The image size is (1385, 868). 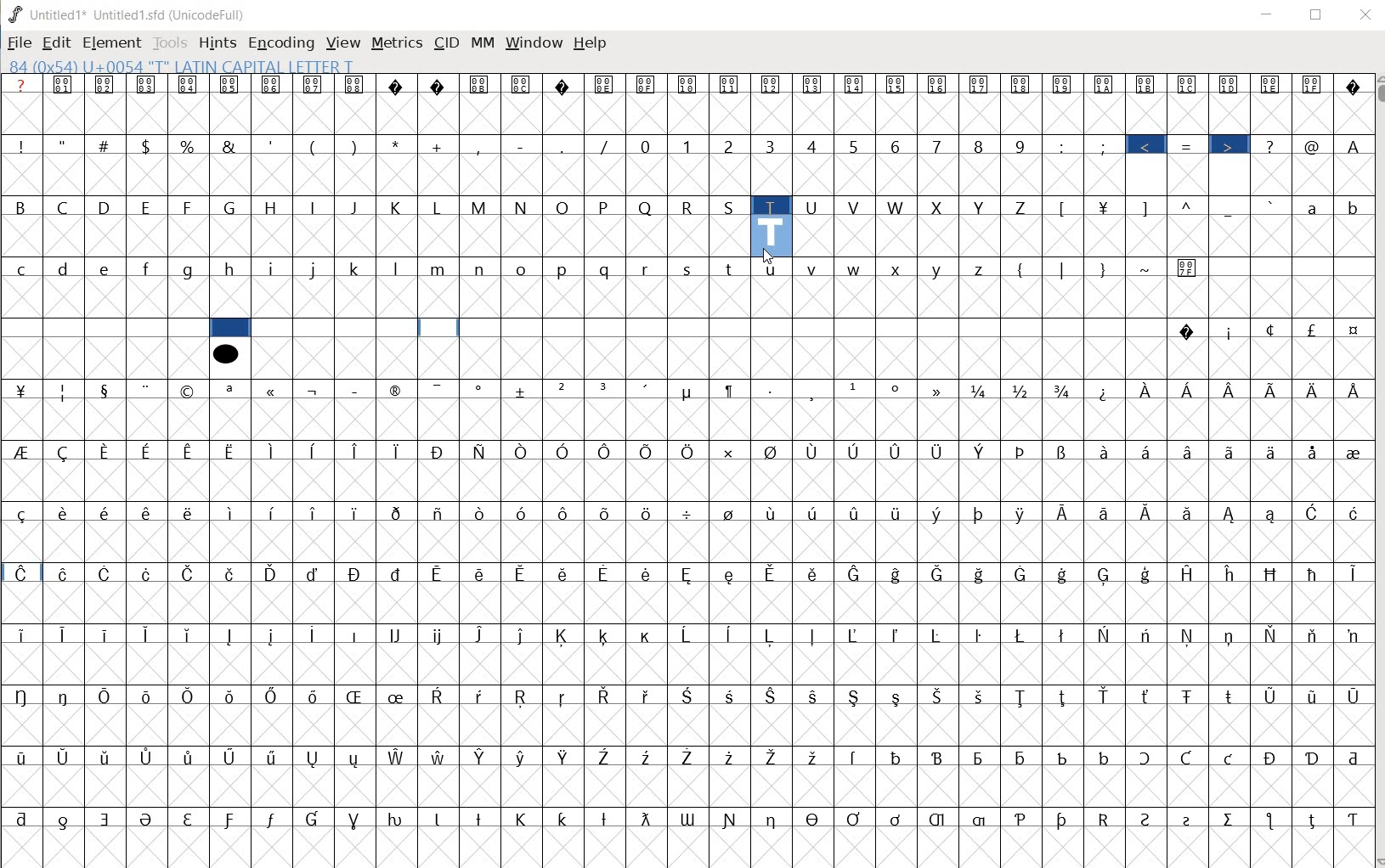 What do you see at coordinates (565, 637) in the screenshot?
I see `Symbol` at bounding box center [565, 637].